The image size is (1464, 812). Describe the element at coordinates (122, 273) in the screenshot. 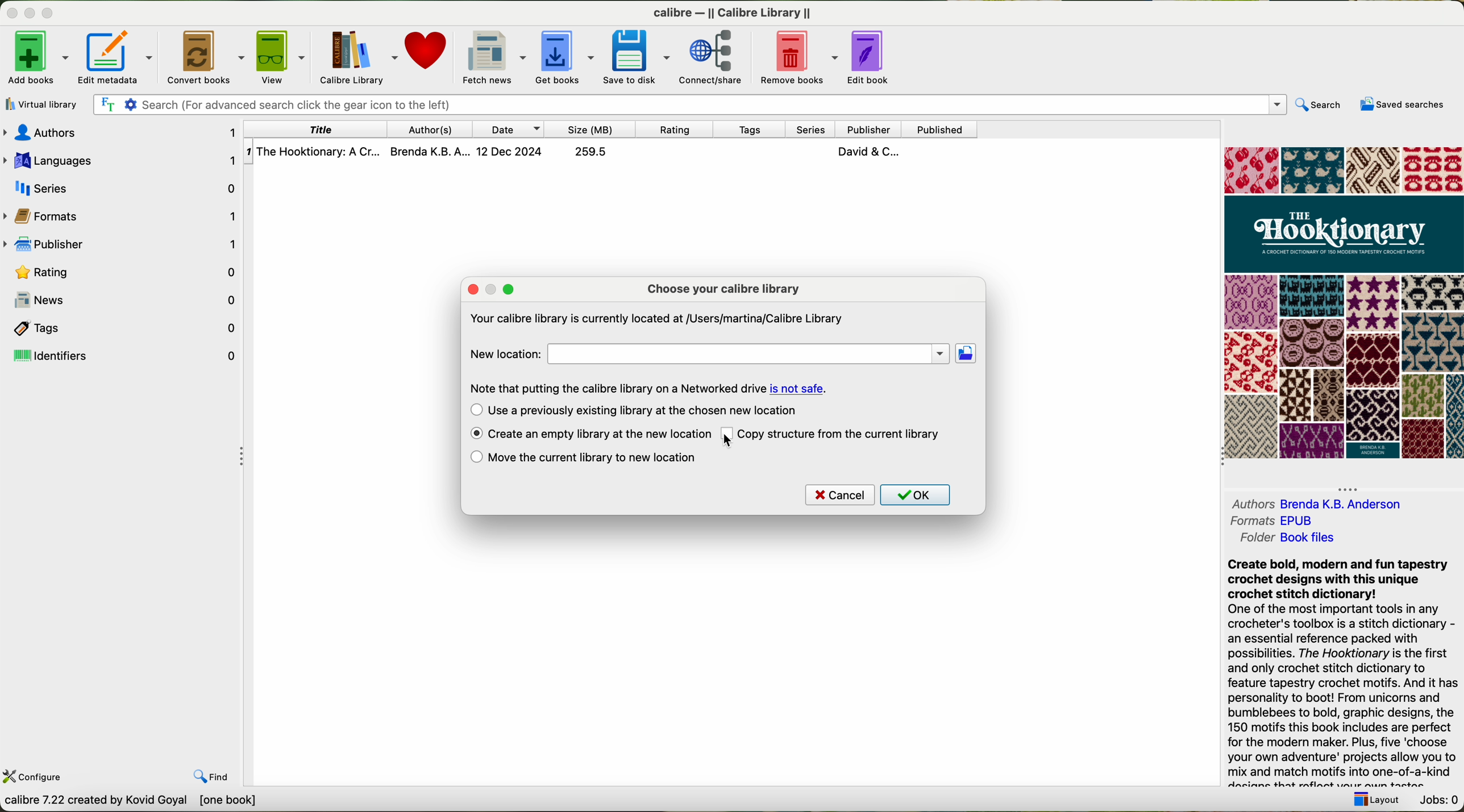

I see `rating` at that location.